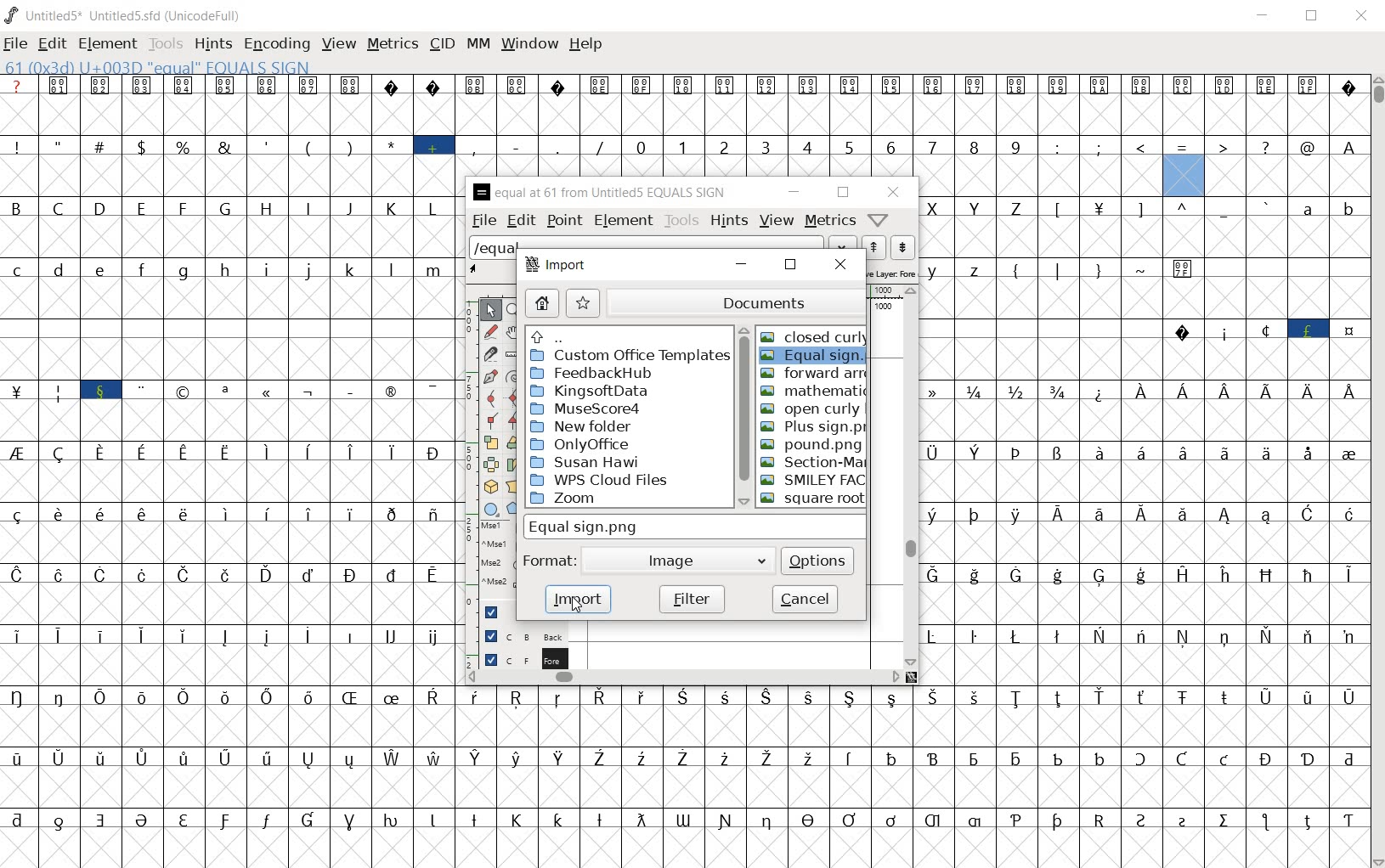 Image resolution: width=1385 pixels, height=868 pixels. What do you see at coordinates (728, 222) in the screenshot?
I see `hints` at bounding box center [728, 222].